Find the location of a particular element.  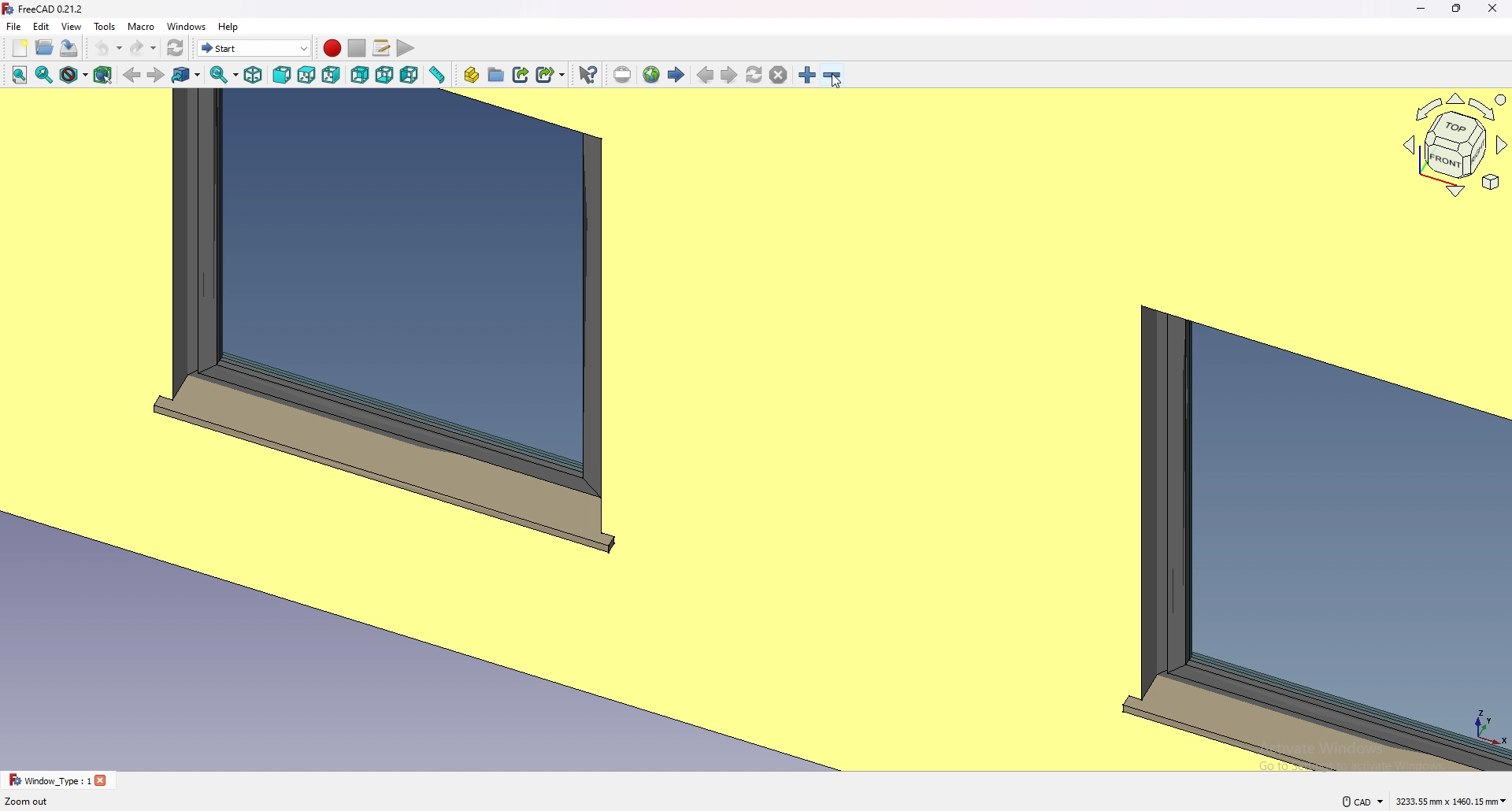

description is located at coordinates (28, 802).